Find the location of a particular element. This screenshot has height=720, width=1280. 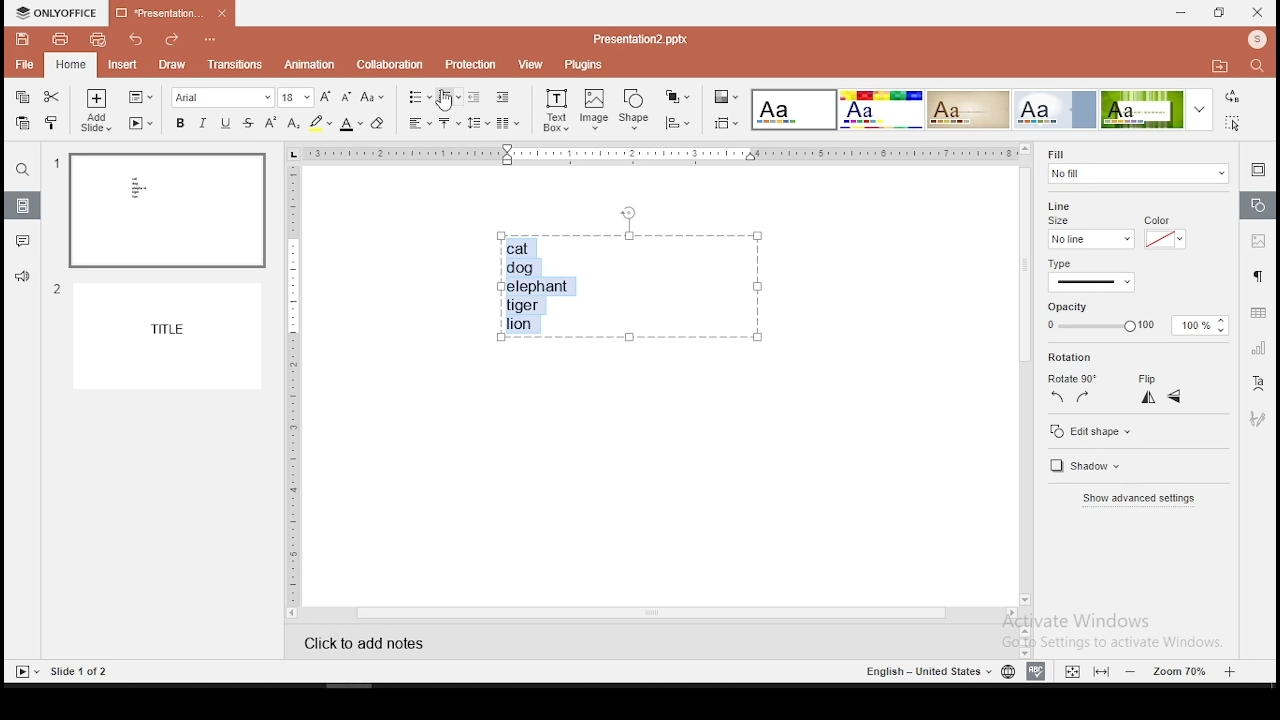

table settings is located at coordinates (1255, 314).